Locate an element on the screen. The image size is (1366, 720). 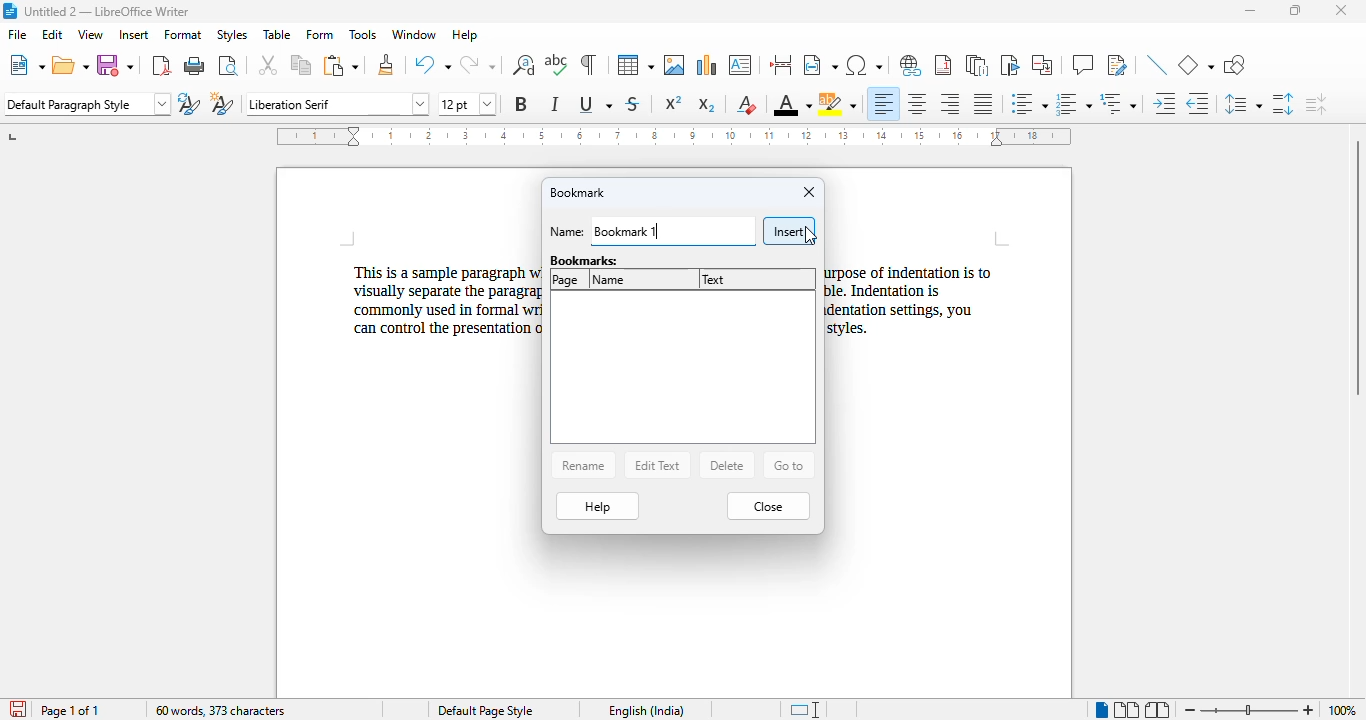
paste is located at coordinates (342, 66).